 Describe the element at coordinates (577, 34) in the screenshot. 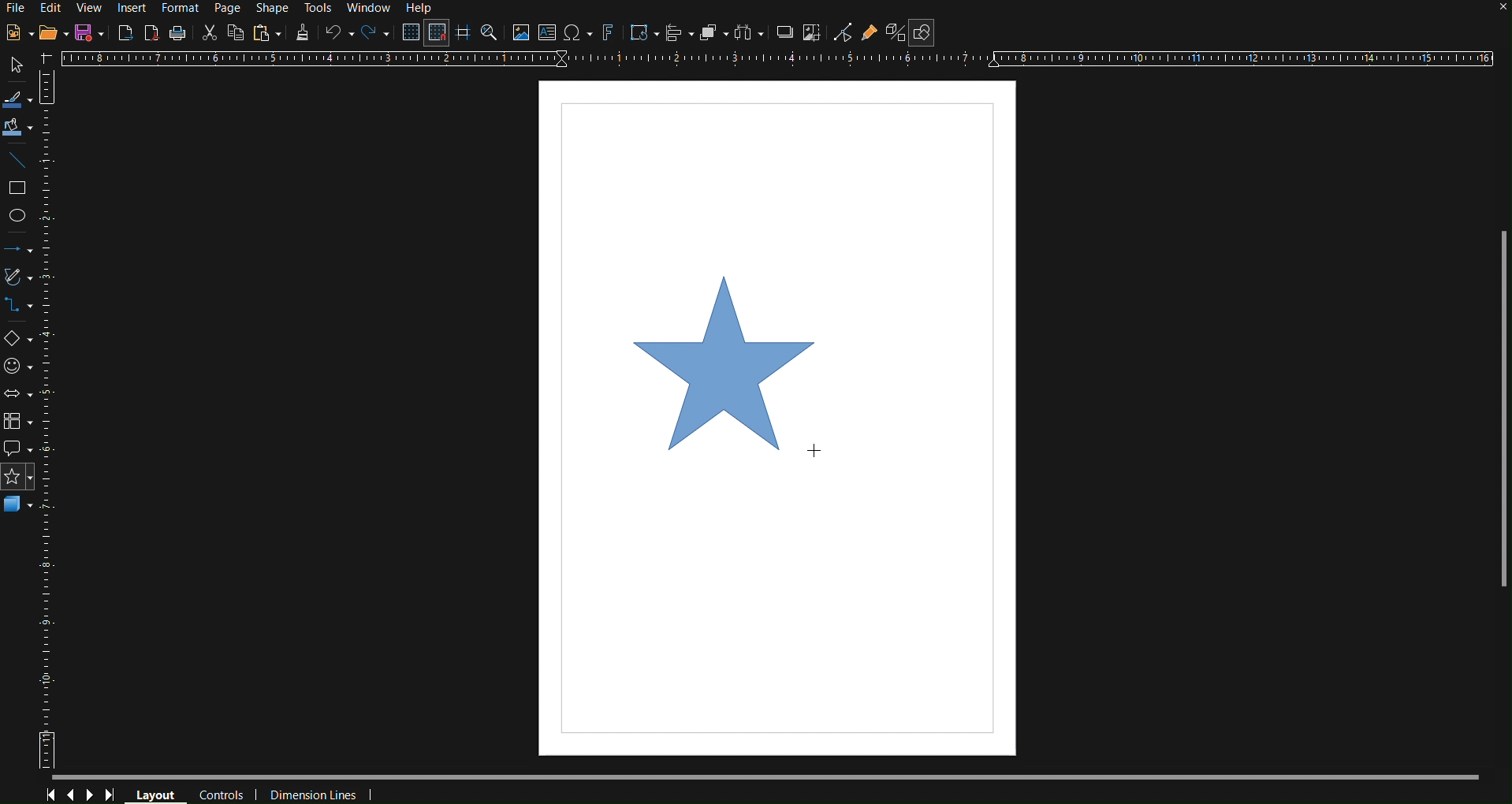

I see `Insert Special Character` at that location.